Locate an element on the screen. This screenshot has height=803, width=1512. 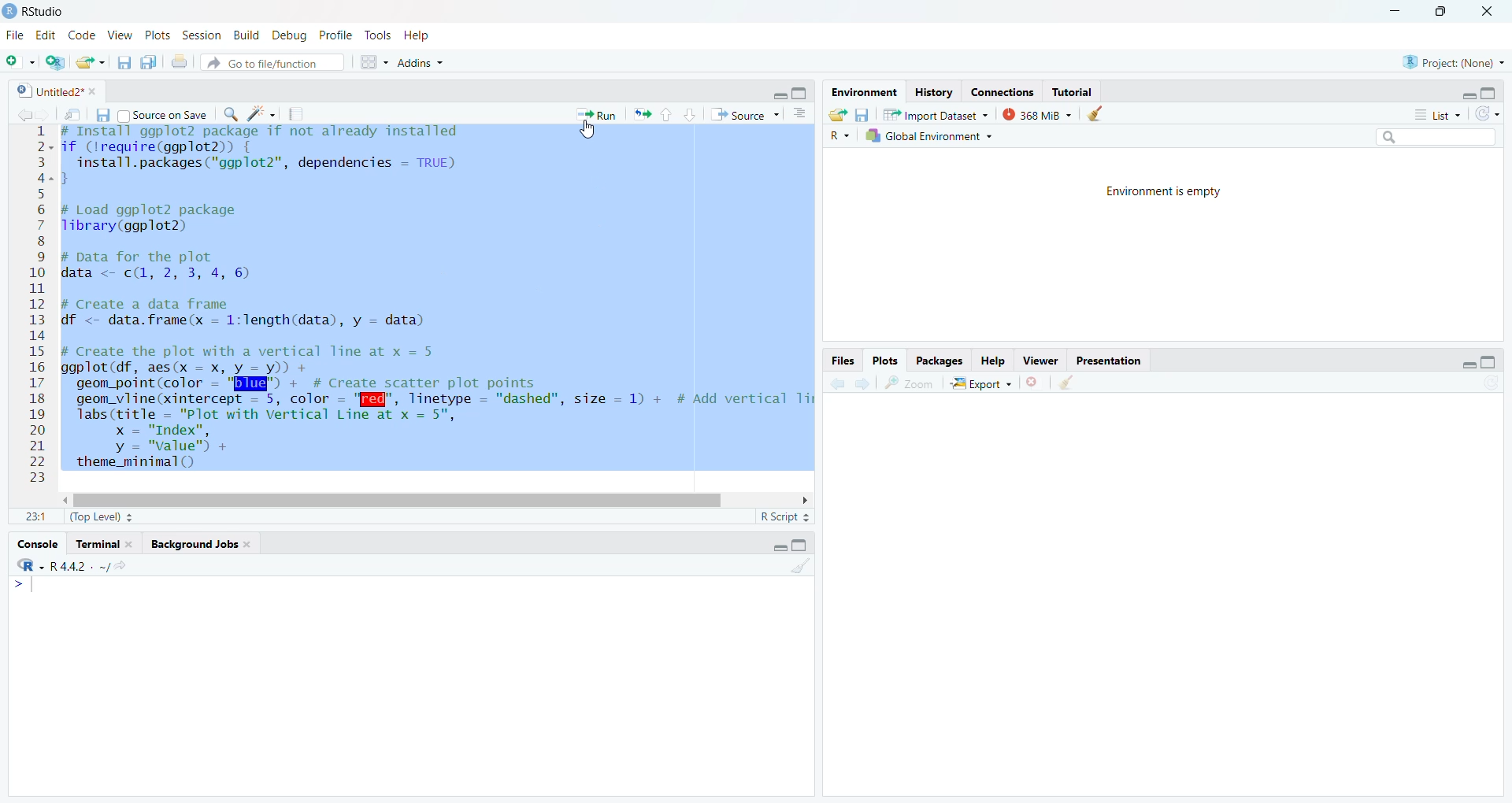
add is located at coordinates (20, 62).